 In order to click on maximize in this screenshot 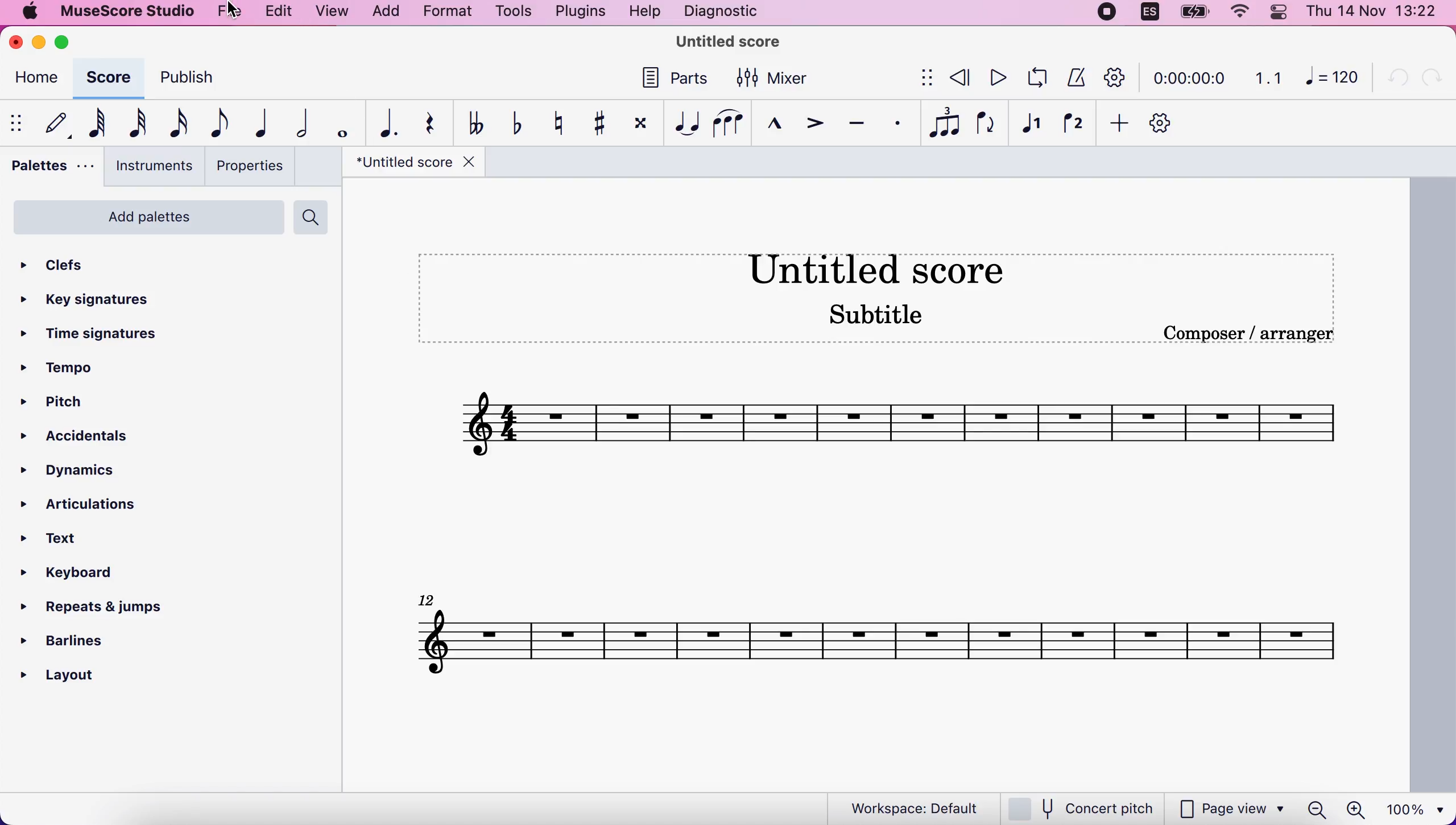, I will do `click(68, 44)`.